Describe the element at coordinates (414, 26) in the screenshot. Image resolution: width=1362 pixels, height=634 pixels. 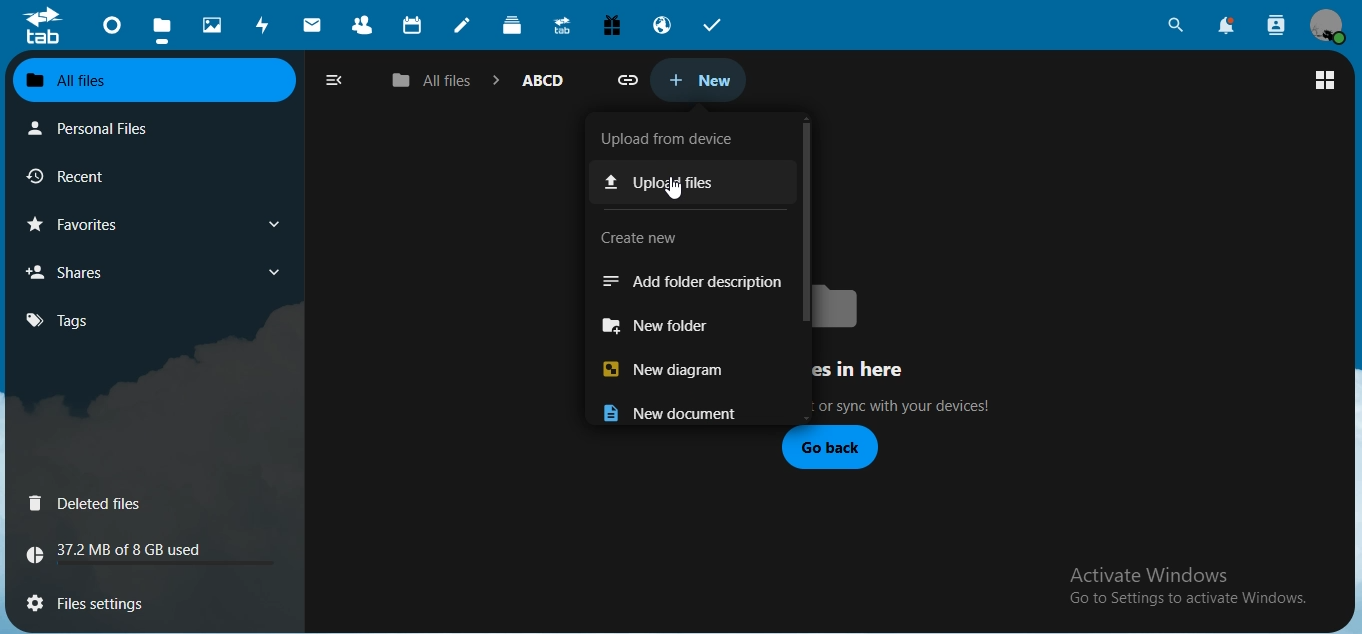
I see `calendar` at that location.